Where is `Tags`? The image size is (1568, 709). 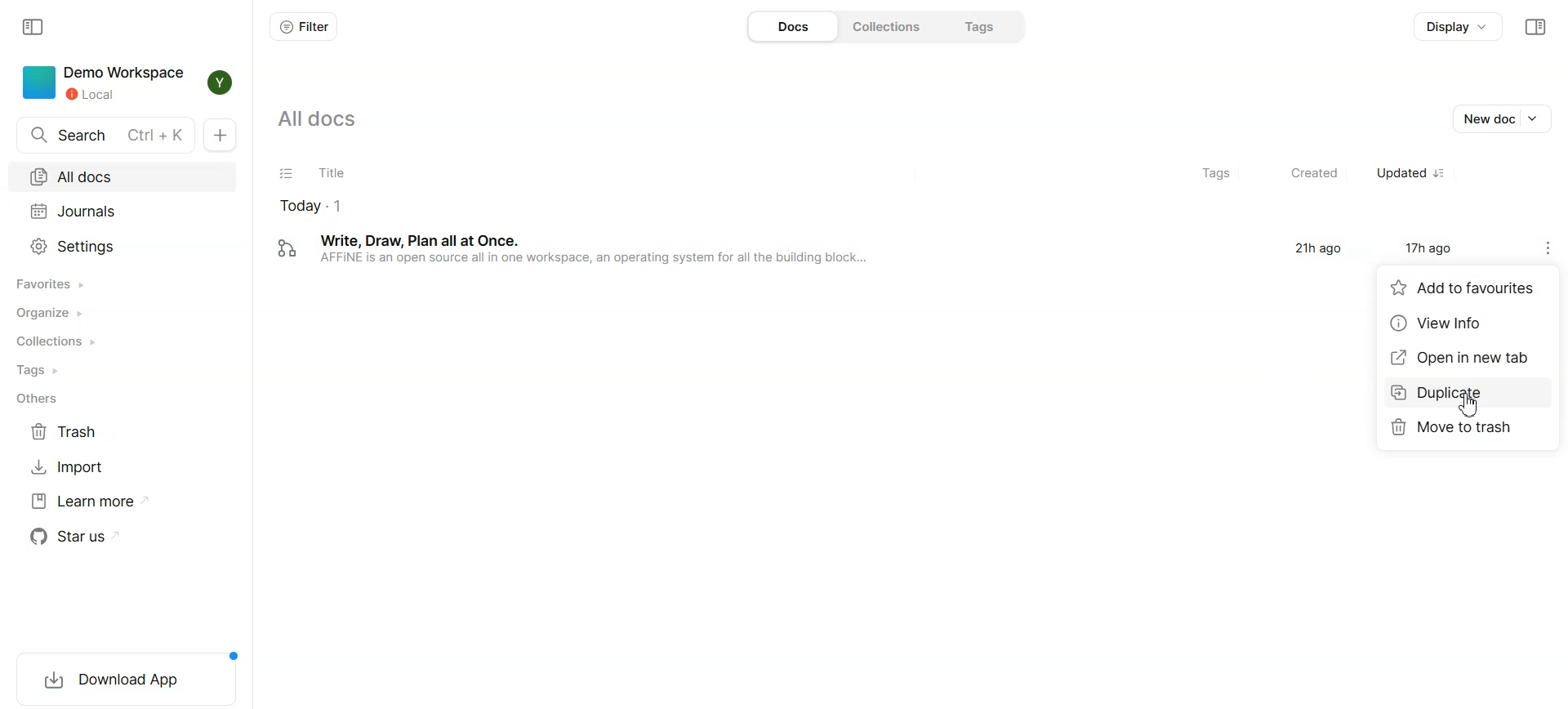 Tags is located at coordinates (1206, 173).